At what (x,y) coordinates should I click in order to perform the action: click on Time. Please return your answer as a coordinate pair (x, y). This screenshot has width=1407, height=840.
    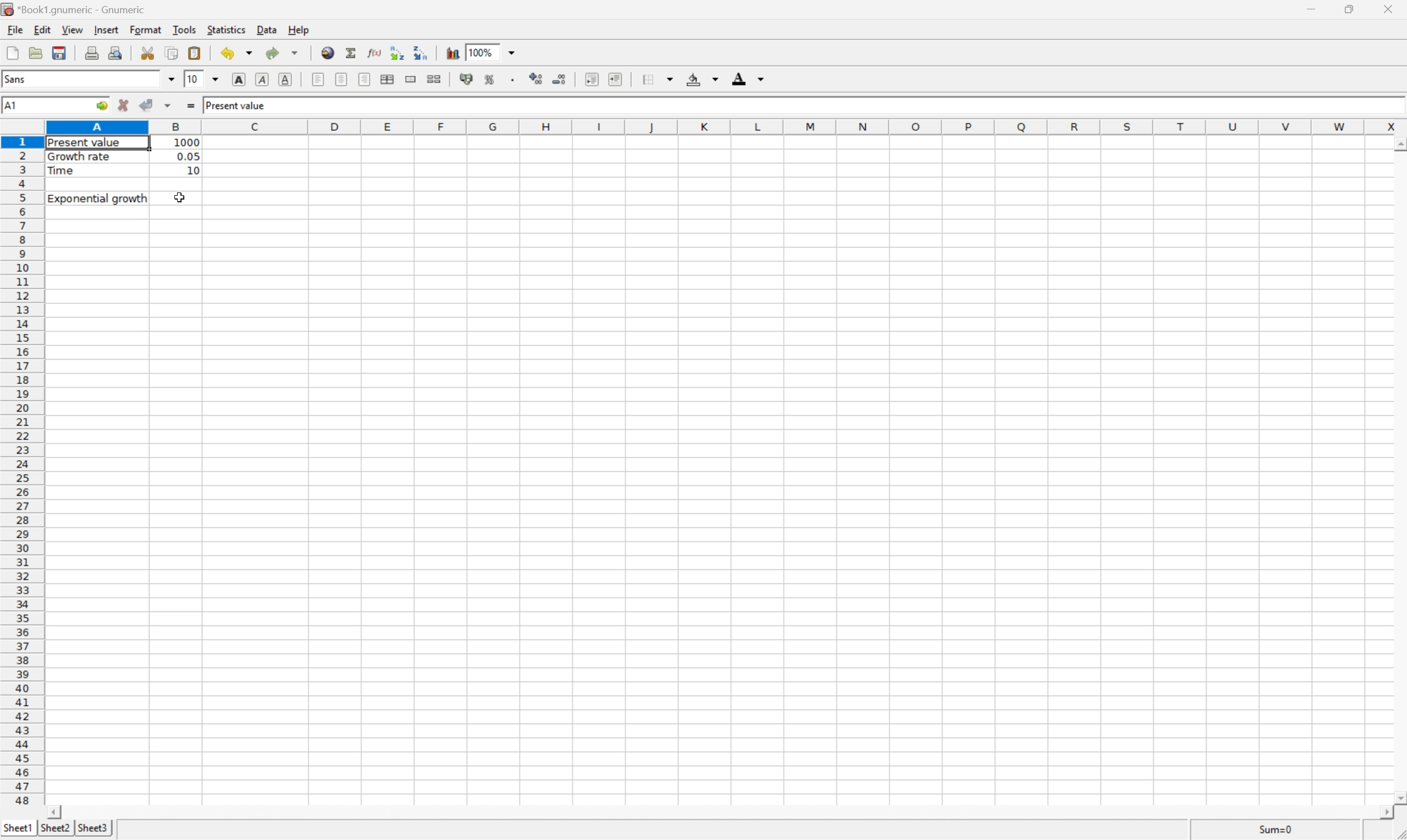
    Looking at the image, I should click on (62, 170).